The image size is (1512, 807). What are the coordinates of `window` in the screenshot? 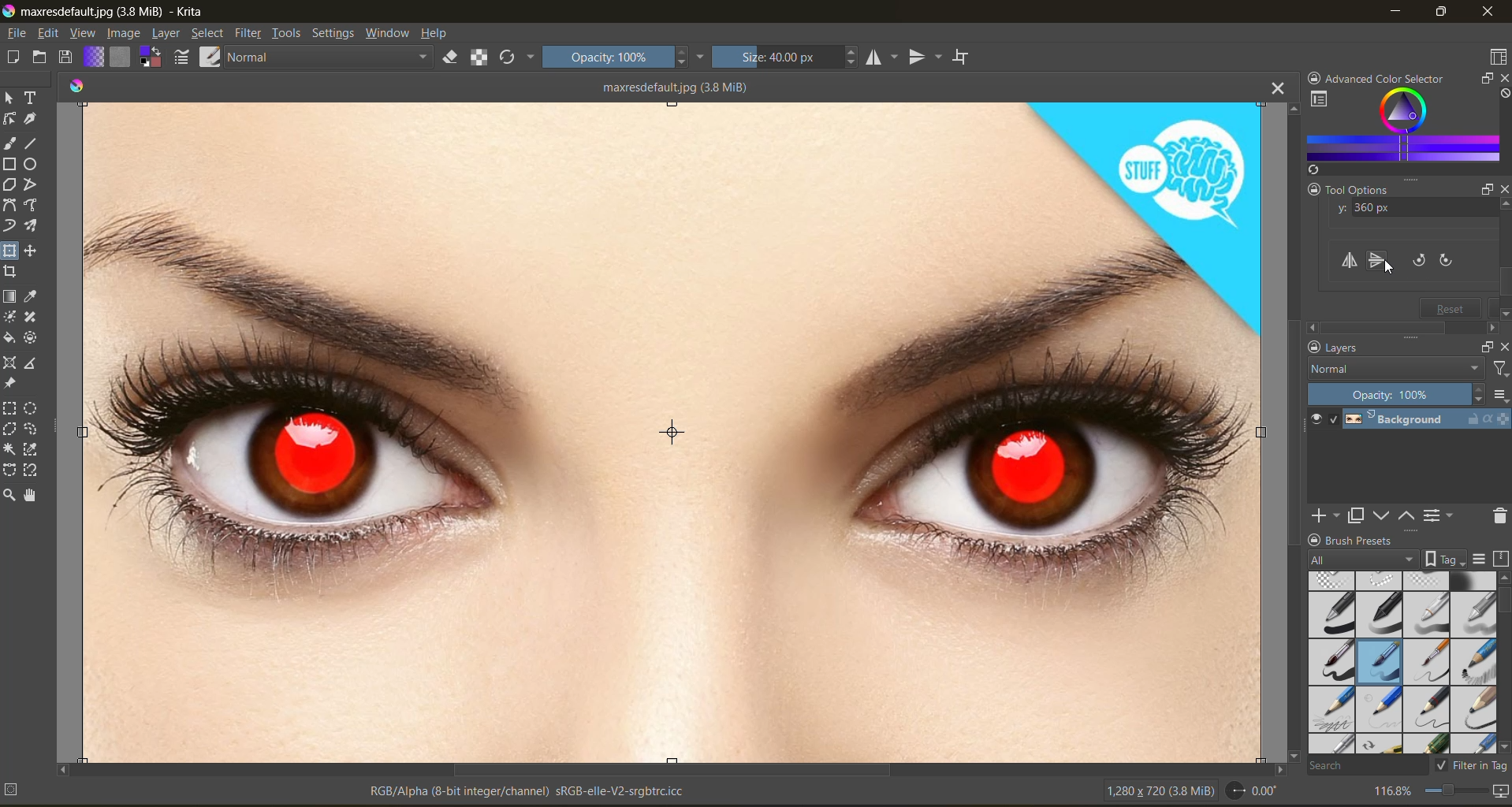 It's located at (389, 32).